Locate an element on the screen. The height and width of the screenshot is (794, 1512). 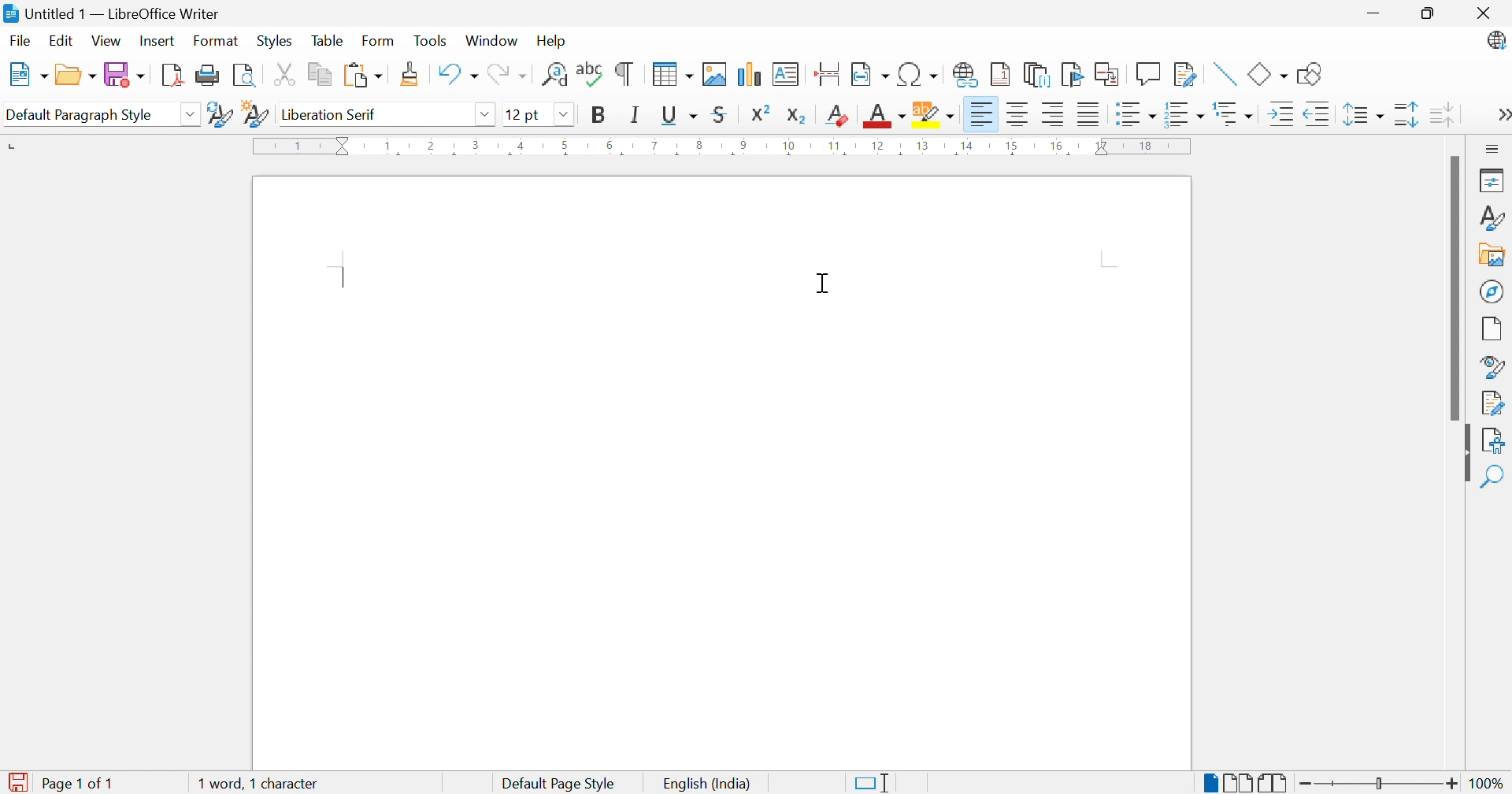
English (India) is located at coordinates (711, 783).